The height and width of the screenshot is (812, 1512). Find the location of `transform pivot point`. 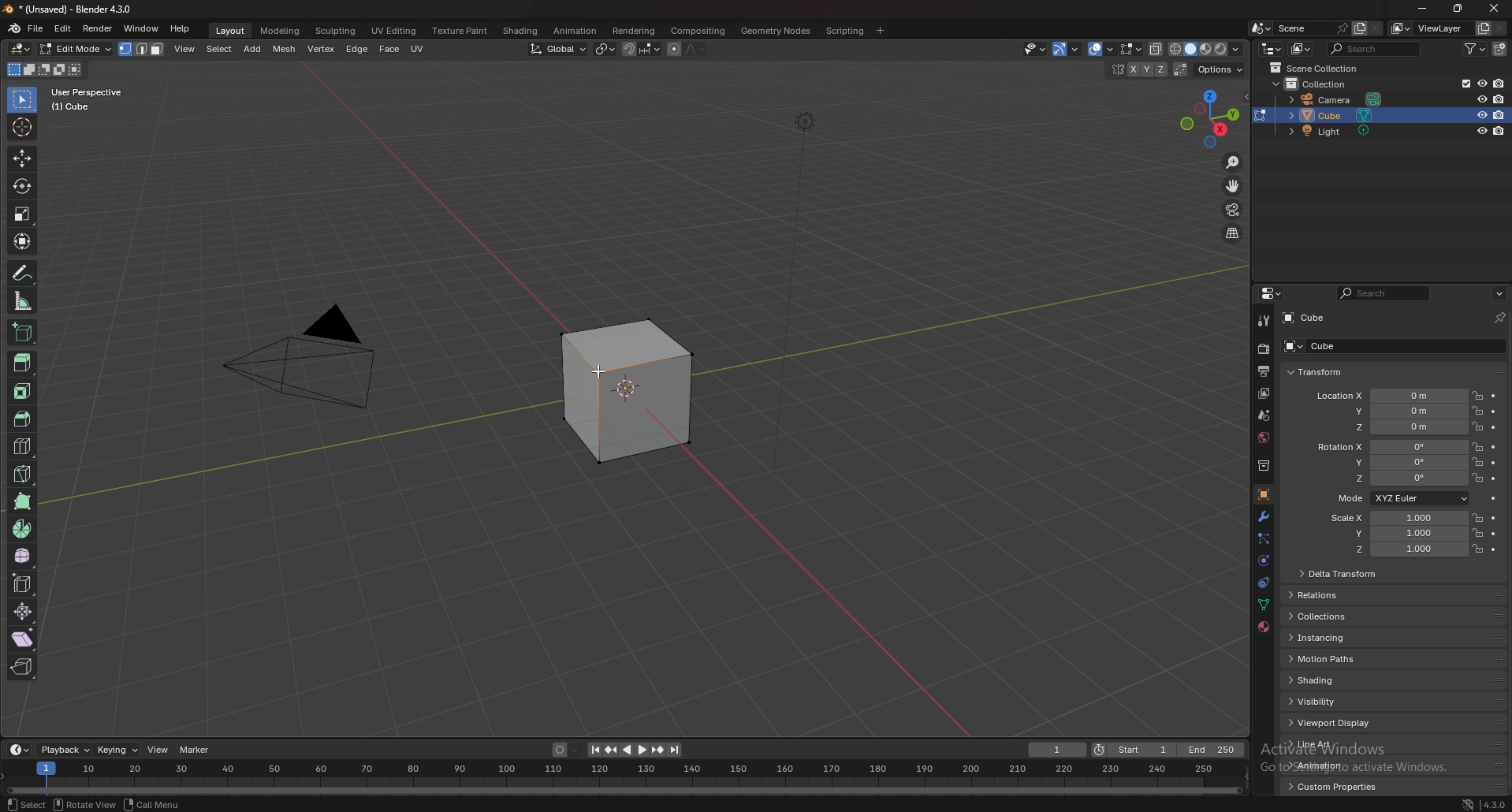

transform pivot point is located at coordinates (605, 50).